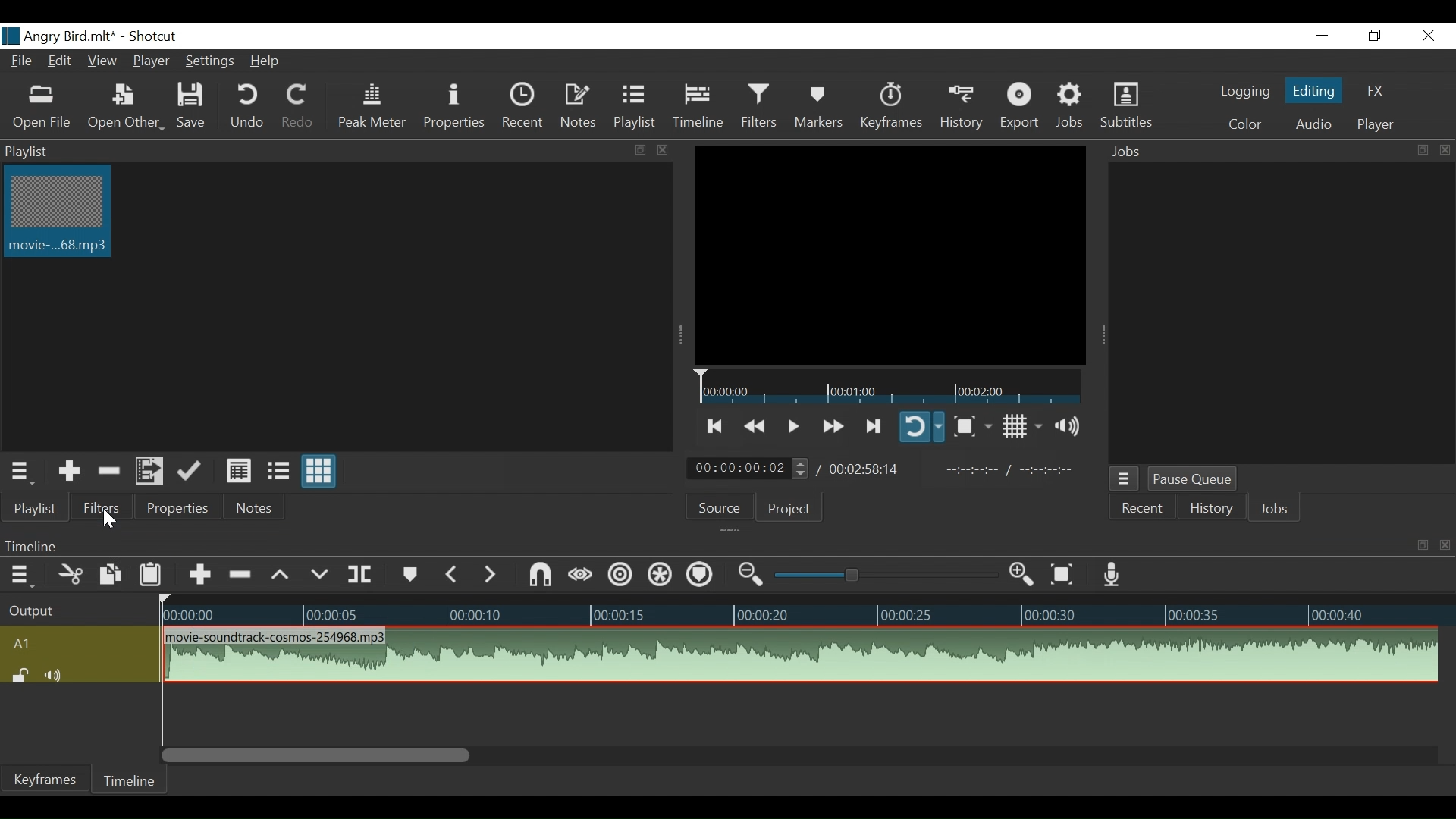  What do you see at coordinates (859, 469) in the screenshot?
I see `Total Duration` at bounding box center [859, 469].